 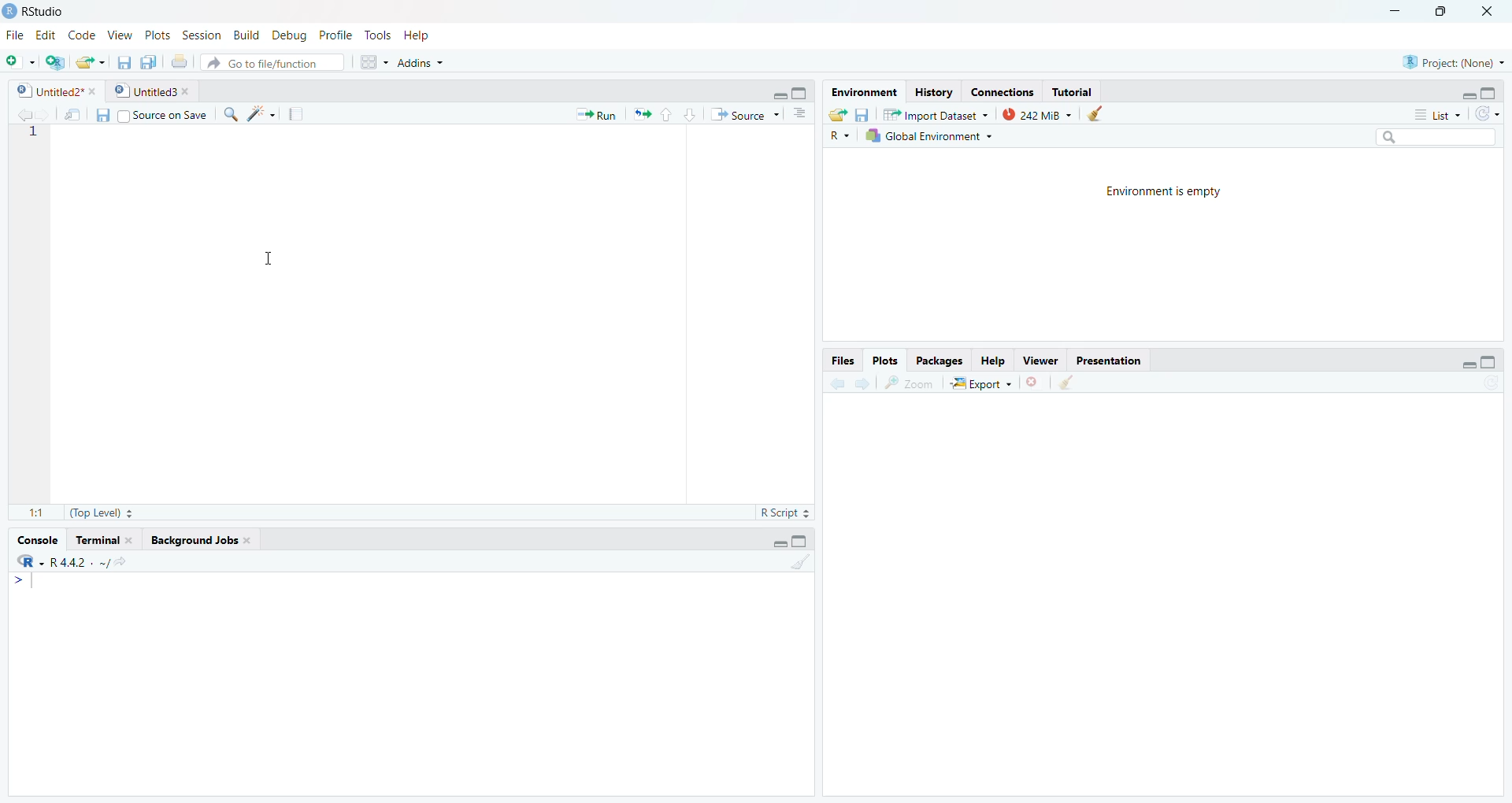 I want to click on up, so click(x=665, y=114).